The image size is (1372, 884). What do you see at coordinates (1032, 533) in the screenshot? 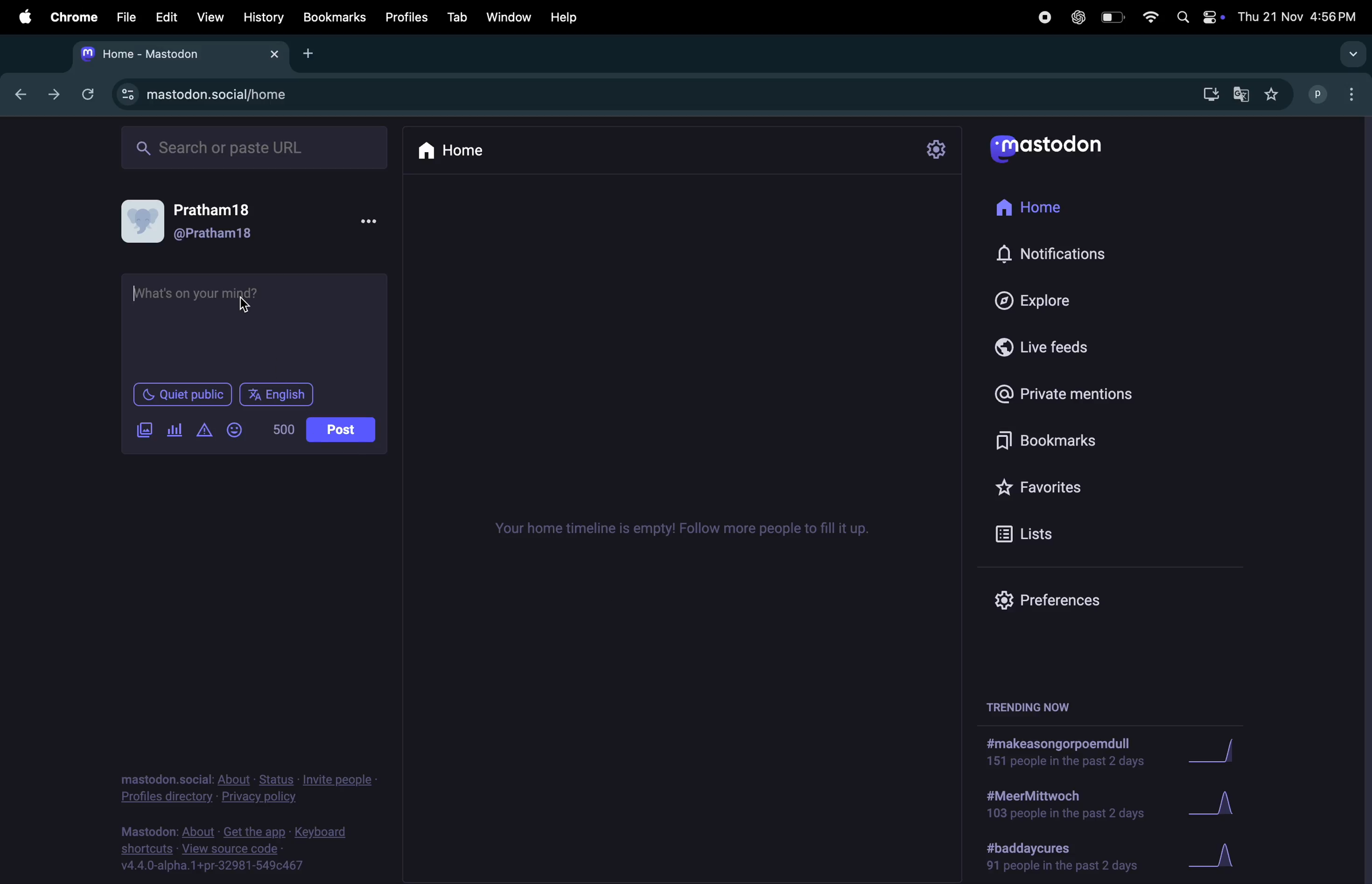
I see `lists` at bounding box center [1032, 533].